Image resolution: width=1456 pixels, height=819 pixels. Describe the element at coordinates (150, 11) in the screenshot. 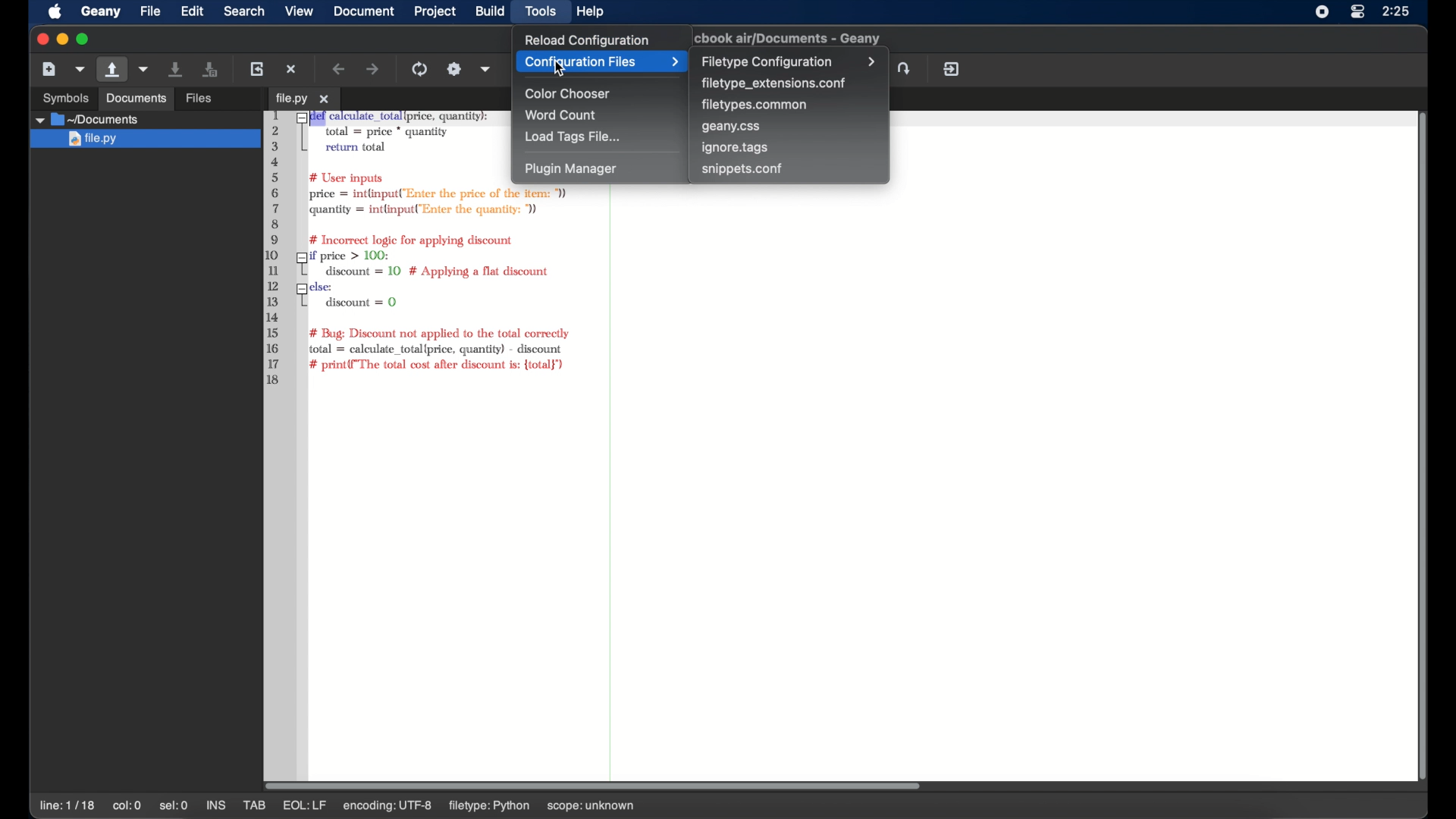

I see `file` at that location.